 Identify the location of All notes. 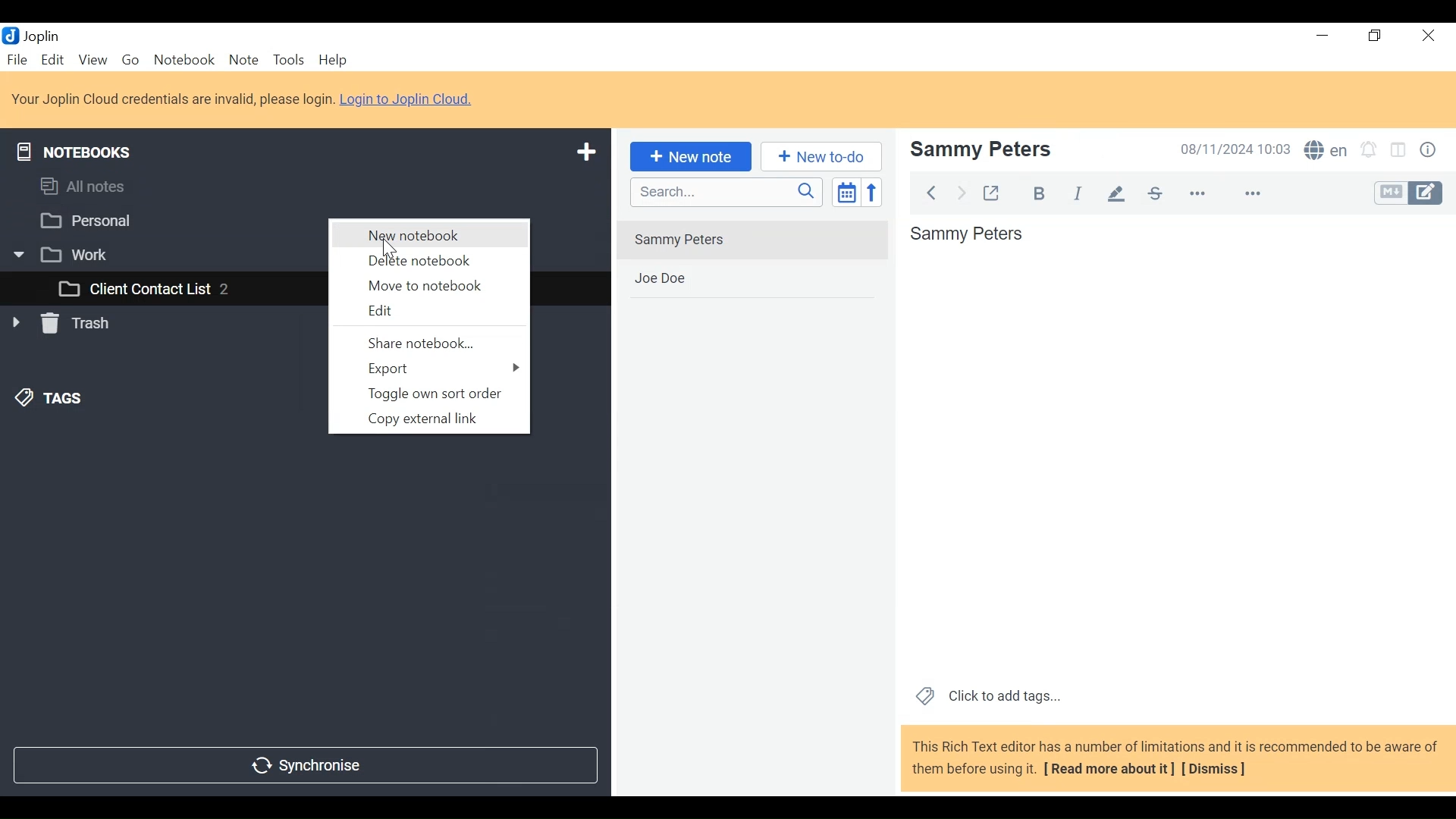
(87, 187).